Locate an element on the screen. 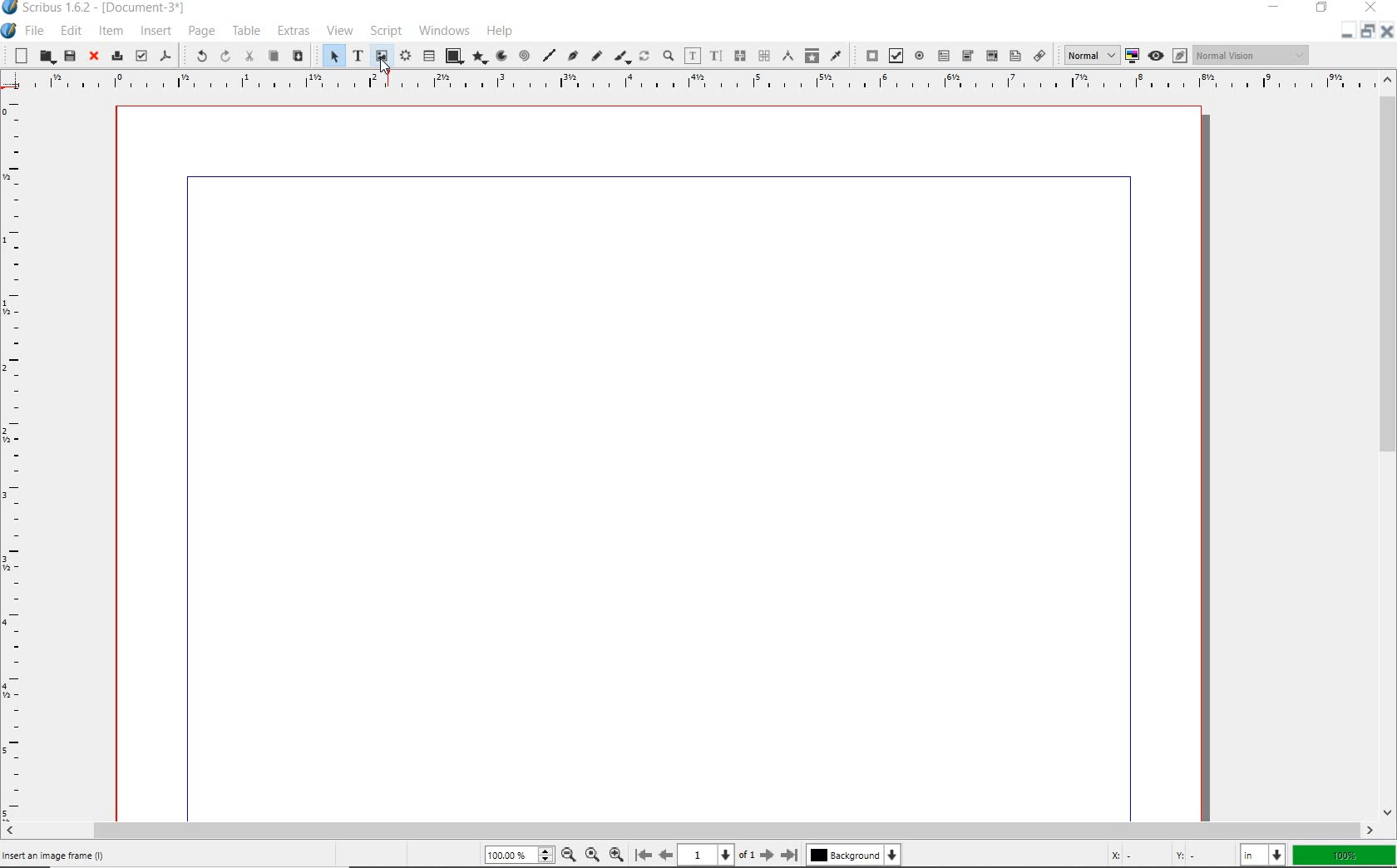 This screenshot has height=868, width=1397. EXTRAS is located at coordinates (293, 31).